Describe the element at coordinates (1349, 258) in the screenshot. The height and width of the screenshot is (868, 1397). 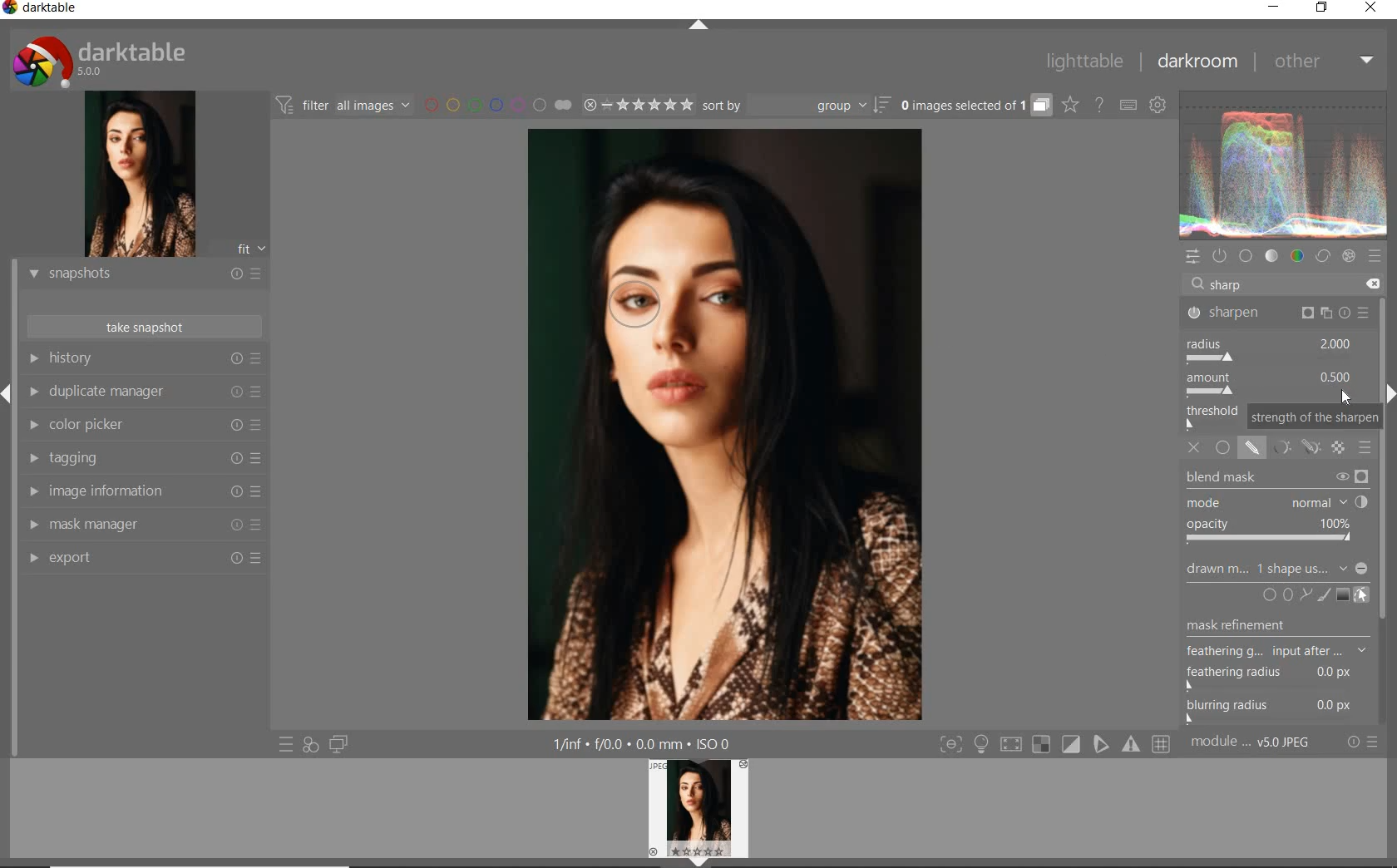
I see `effect` at that location.